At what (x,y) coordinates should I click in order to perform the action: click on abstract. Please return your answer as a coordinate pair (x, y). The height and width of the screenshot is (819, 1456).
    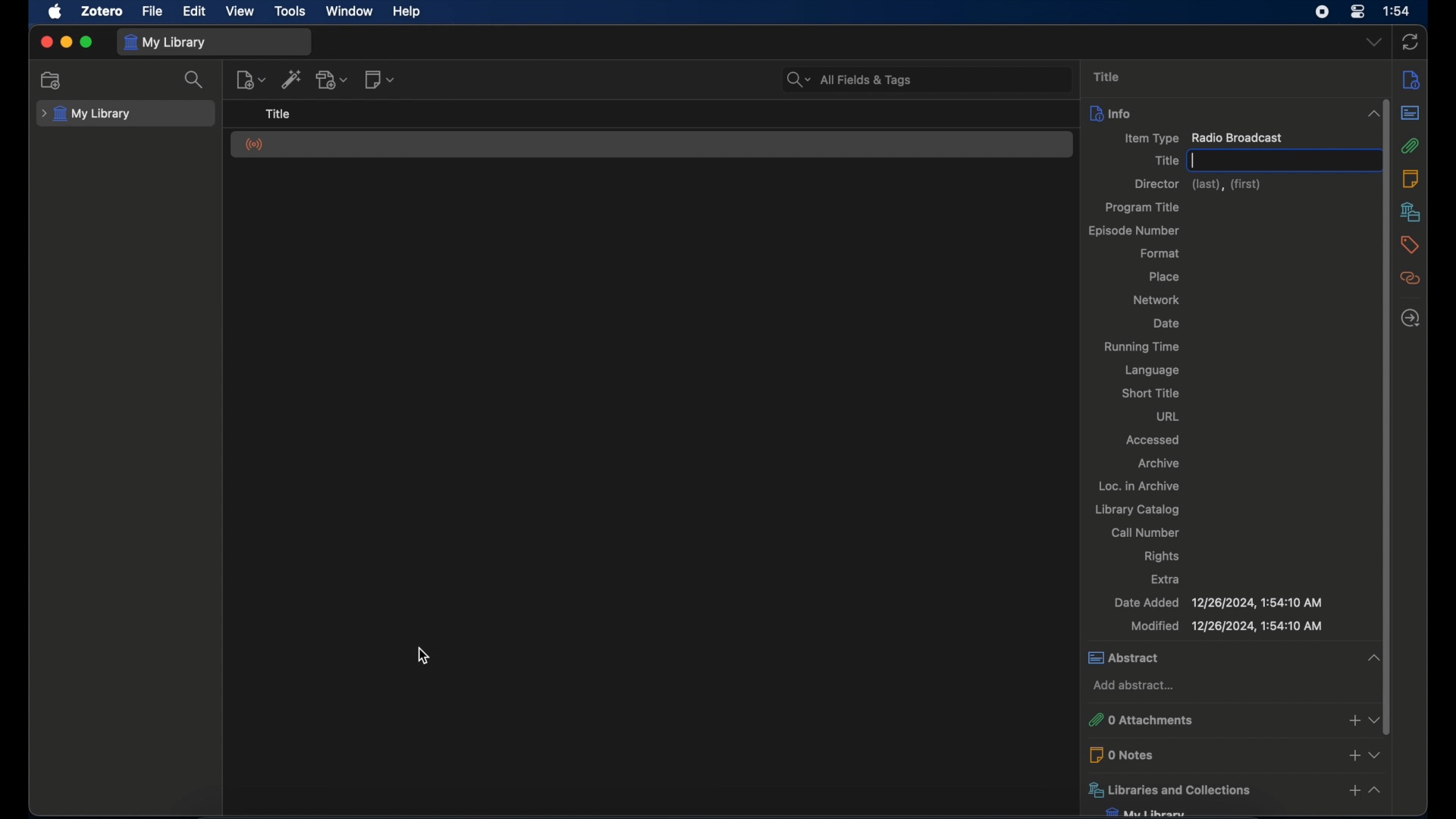
    Looking at the image, I should click on (1236, 657).